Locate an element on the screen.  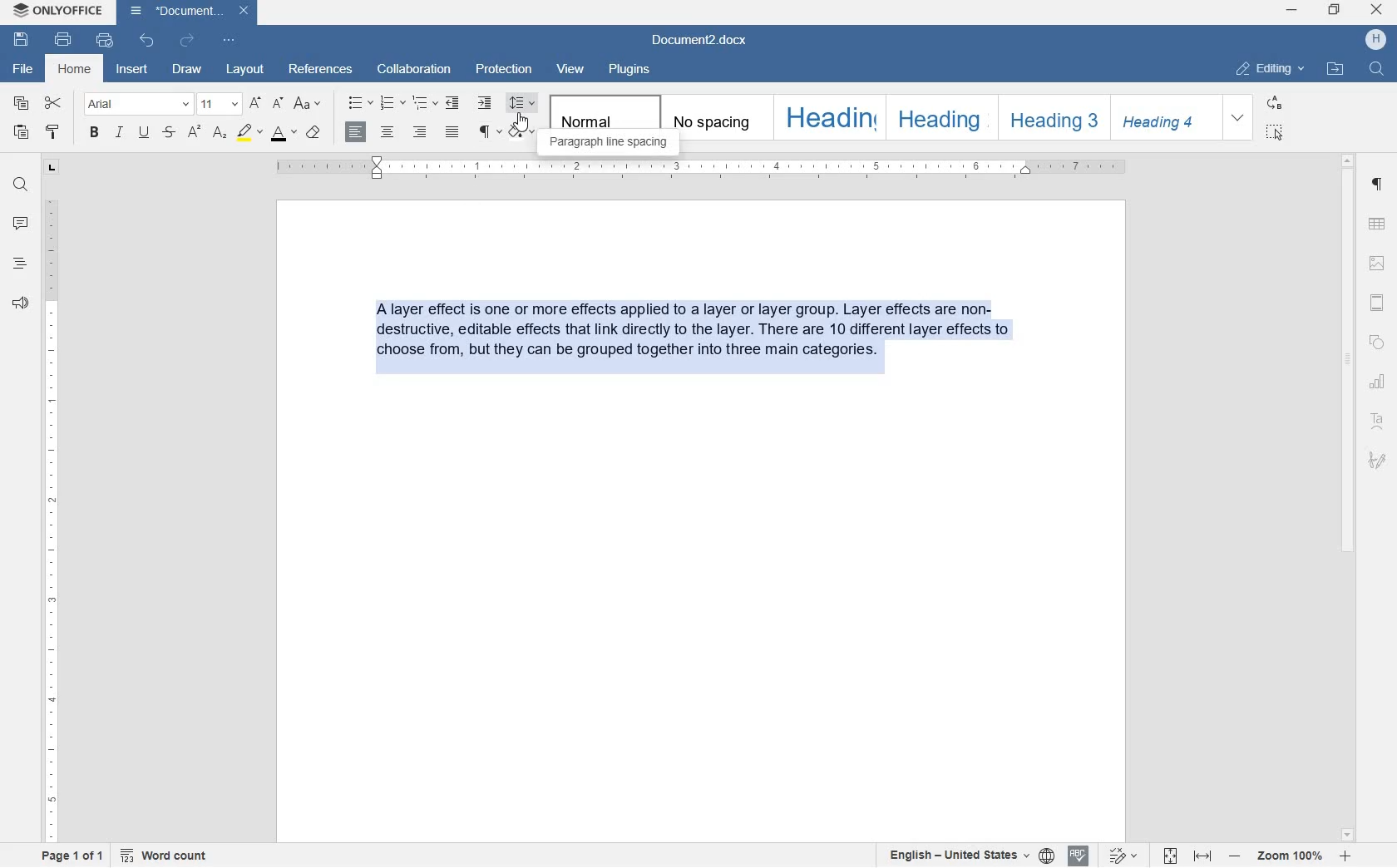
strikethrough is located at coordinates (170, 133).